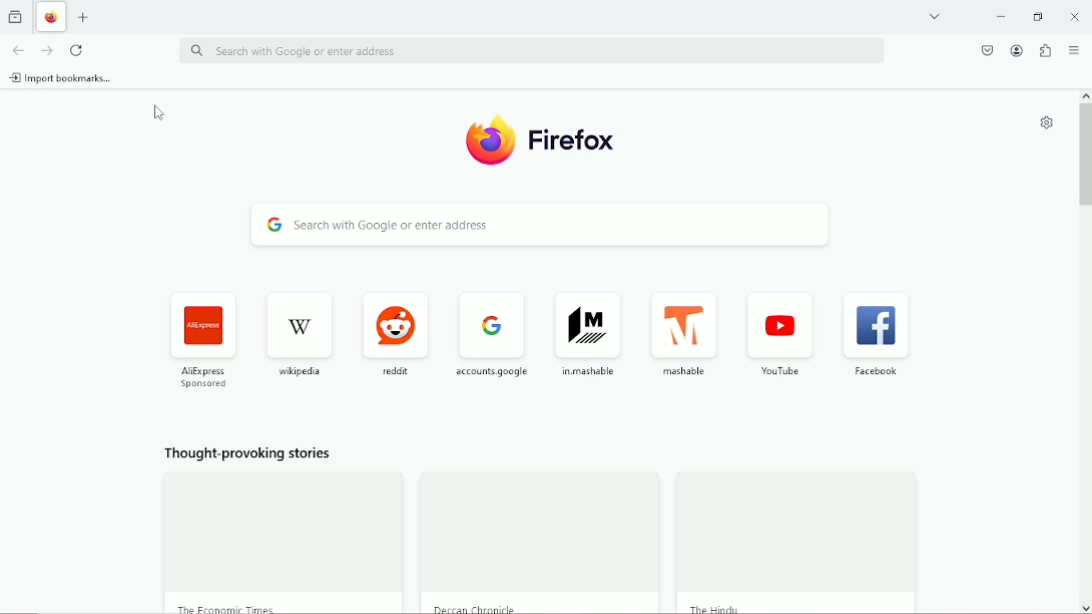  Describe the element at coordinates (298, 333) in the screenshot. I see `wikipedia` at that location.